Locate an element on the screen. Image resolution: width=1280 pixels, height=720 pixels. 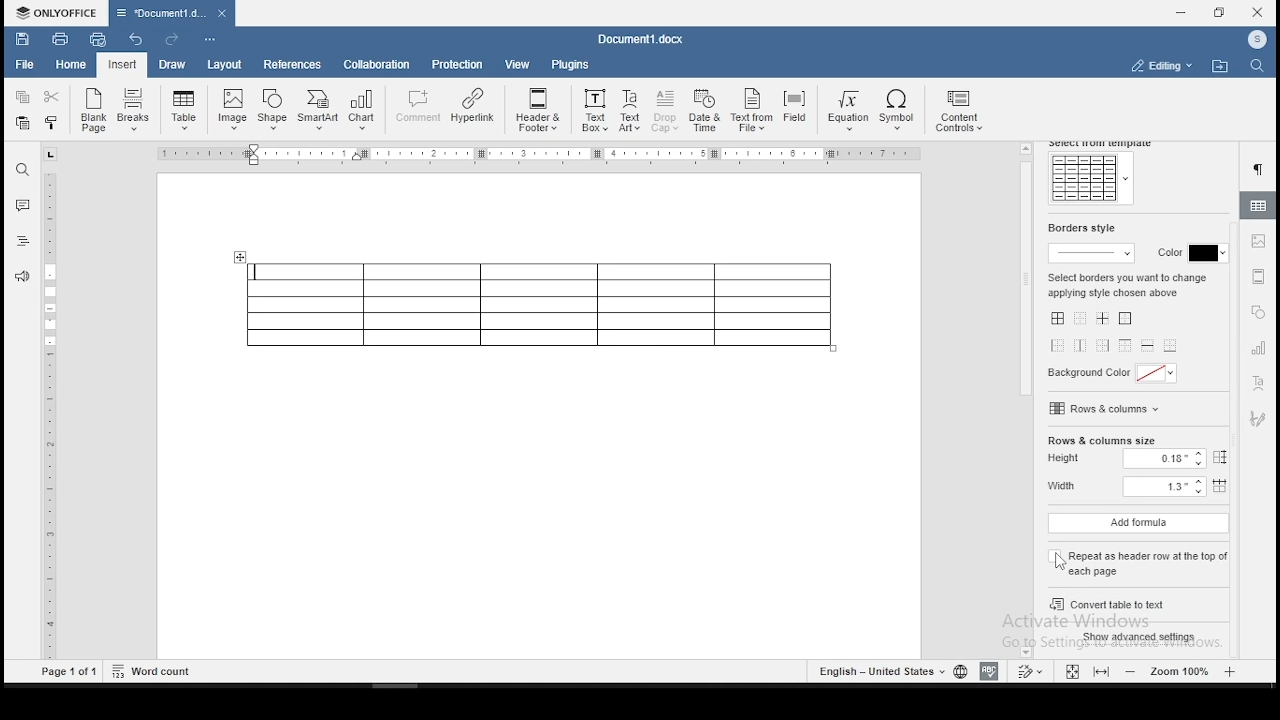
Equation is located at coordinates (845, 112).